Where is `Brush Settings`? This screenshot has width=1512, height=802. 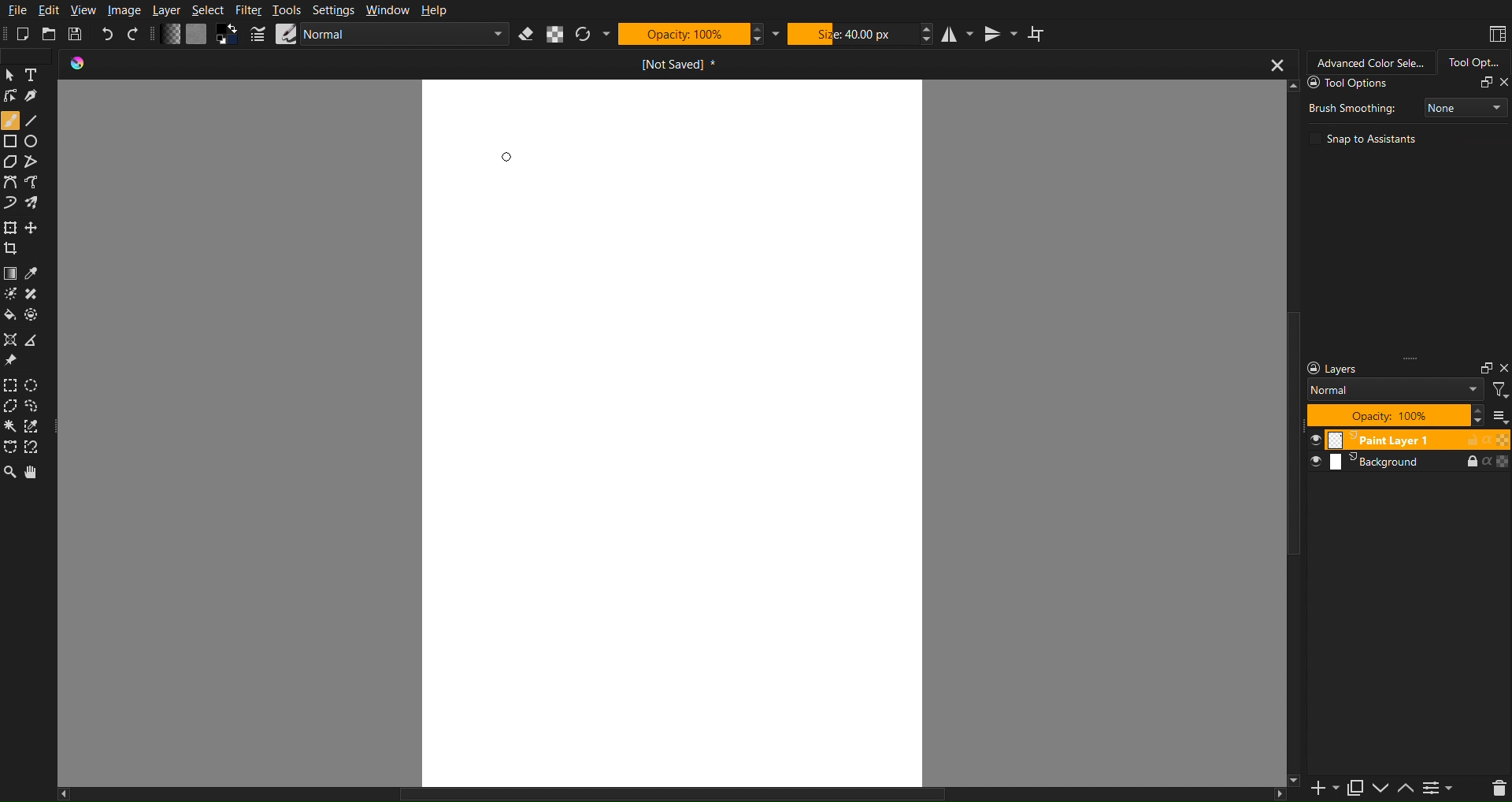 Brush Settings is located at coordinates (393, 34).